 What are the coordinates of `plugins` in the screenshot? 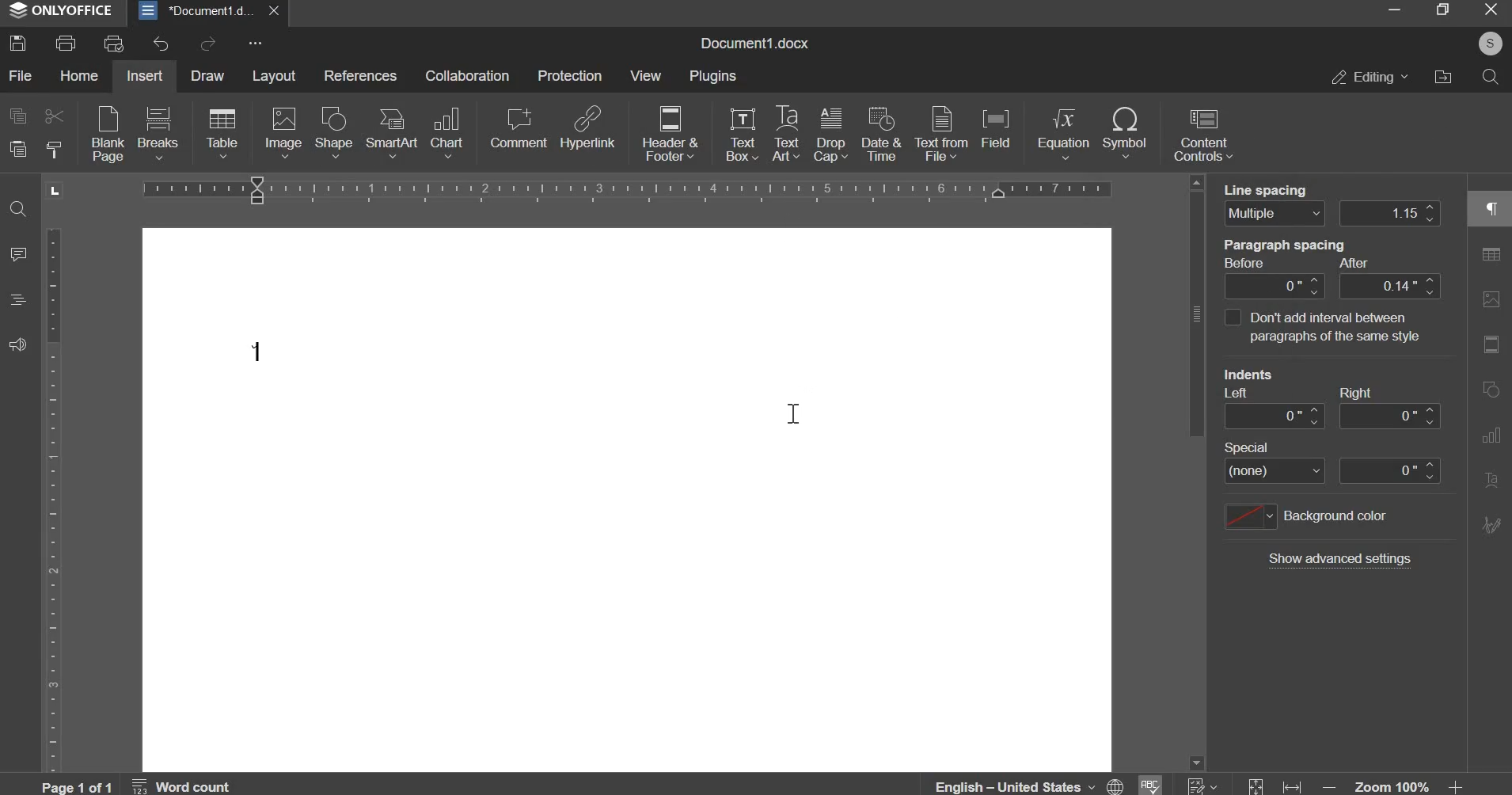 It's located at (713, 77).